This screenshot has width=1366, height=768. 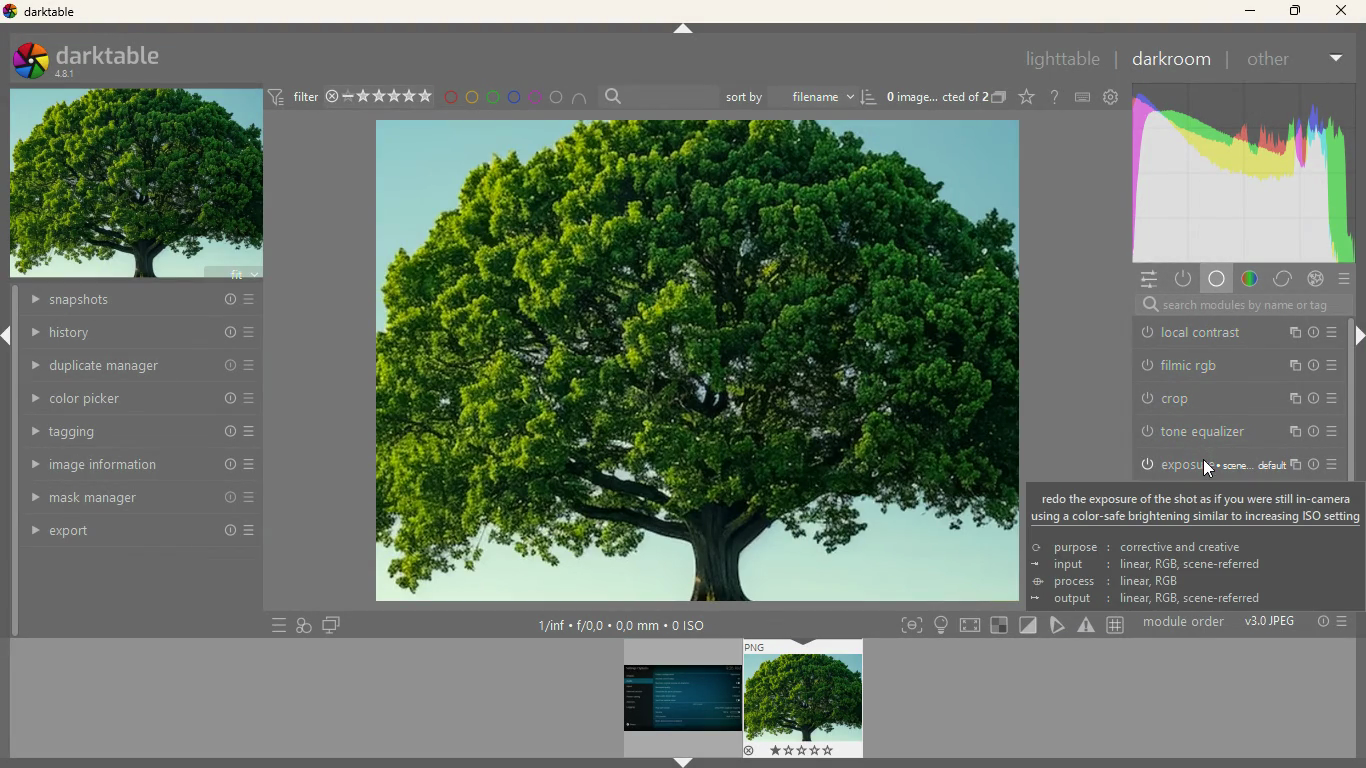 I want to click on tagging, so click(x=144, y=433).